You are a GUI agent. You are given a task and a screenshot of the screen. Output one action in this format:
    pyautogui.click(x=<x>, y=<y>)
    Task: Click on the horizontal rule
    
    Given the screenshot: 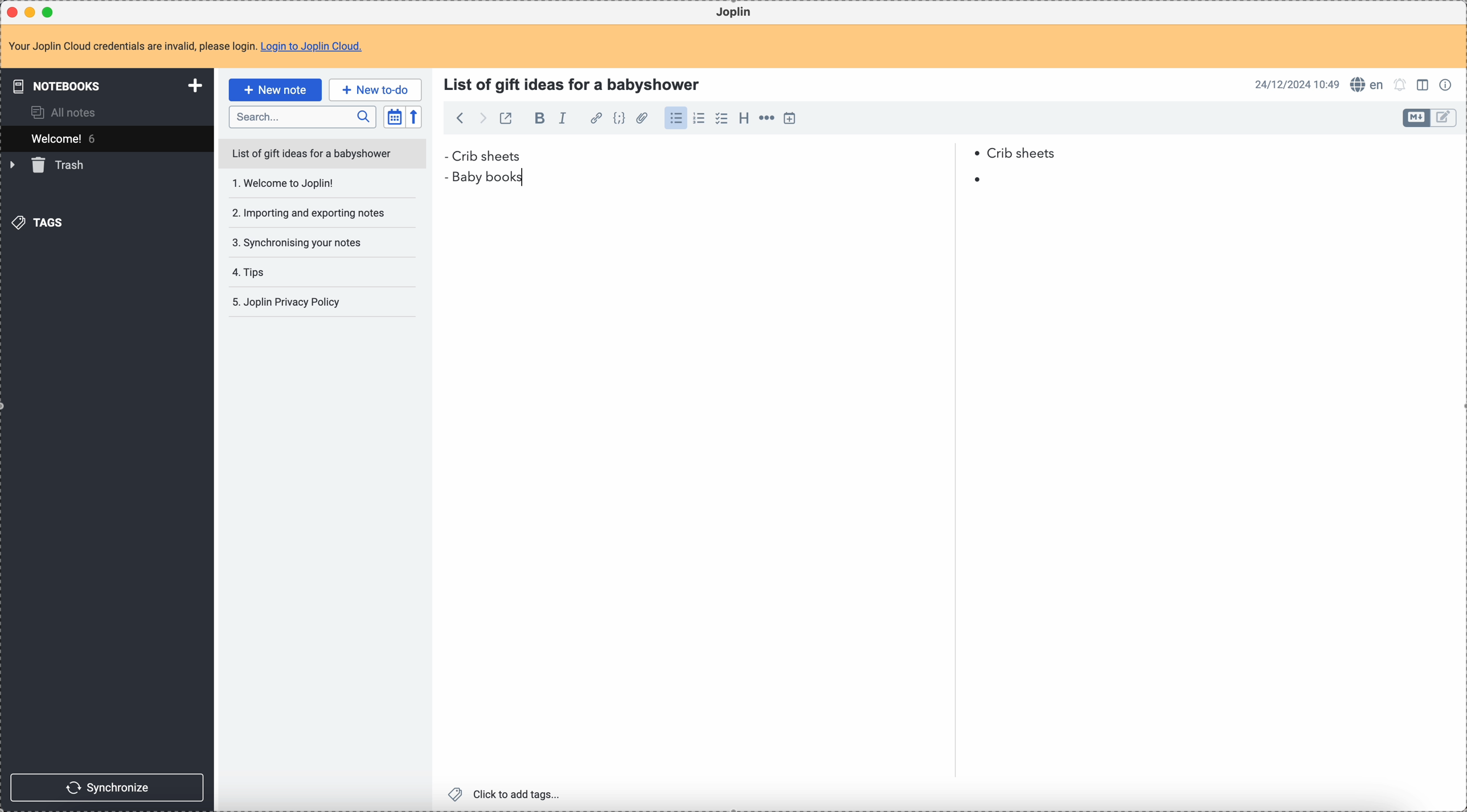 What is the action you would take?
    pyautogui.click(x=768, y=119)
    